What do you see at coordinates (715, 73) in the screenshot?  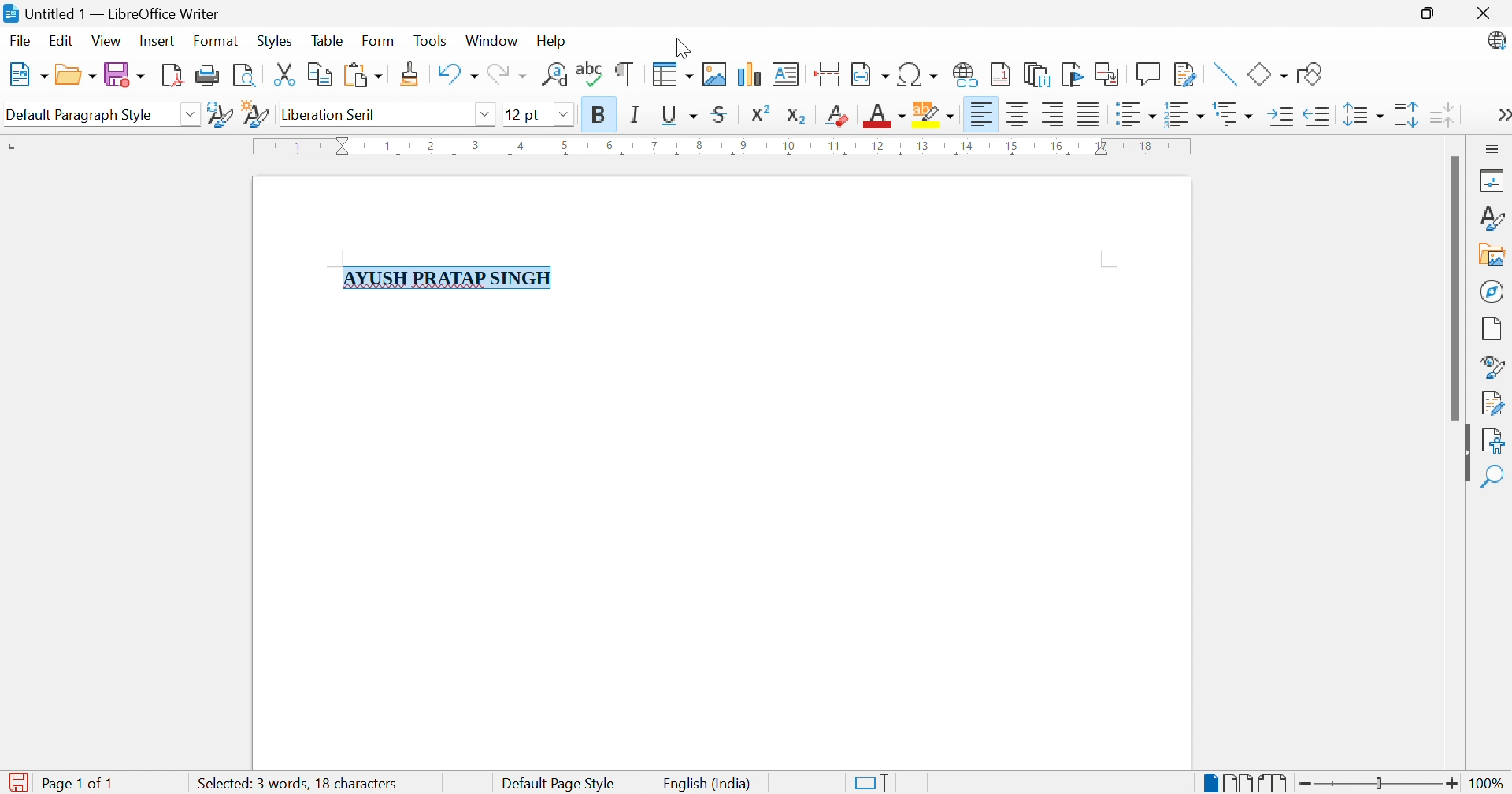 I see `Insert Image` at bounding box center [715, 73].